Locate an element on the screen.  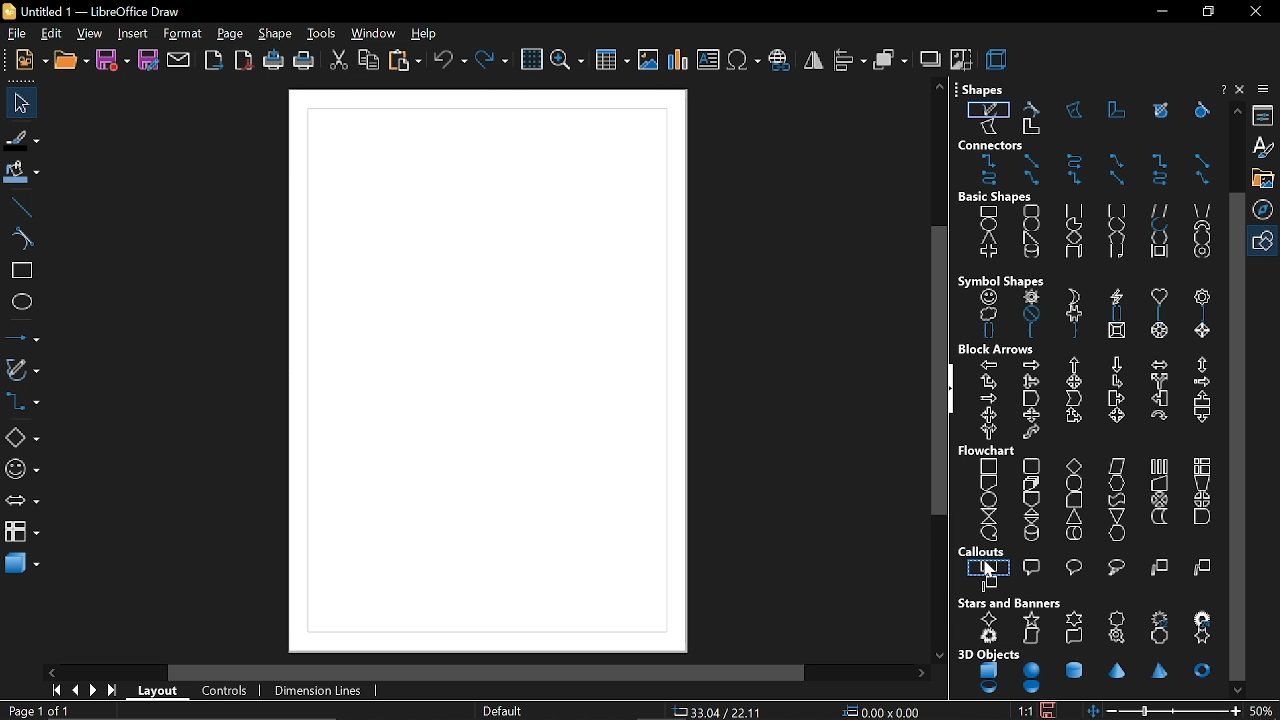
connector ends with arrow is located at coordinates (990, 161).